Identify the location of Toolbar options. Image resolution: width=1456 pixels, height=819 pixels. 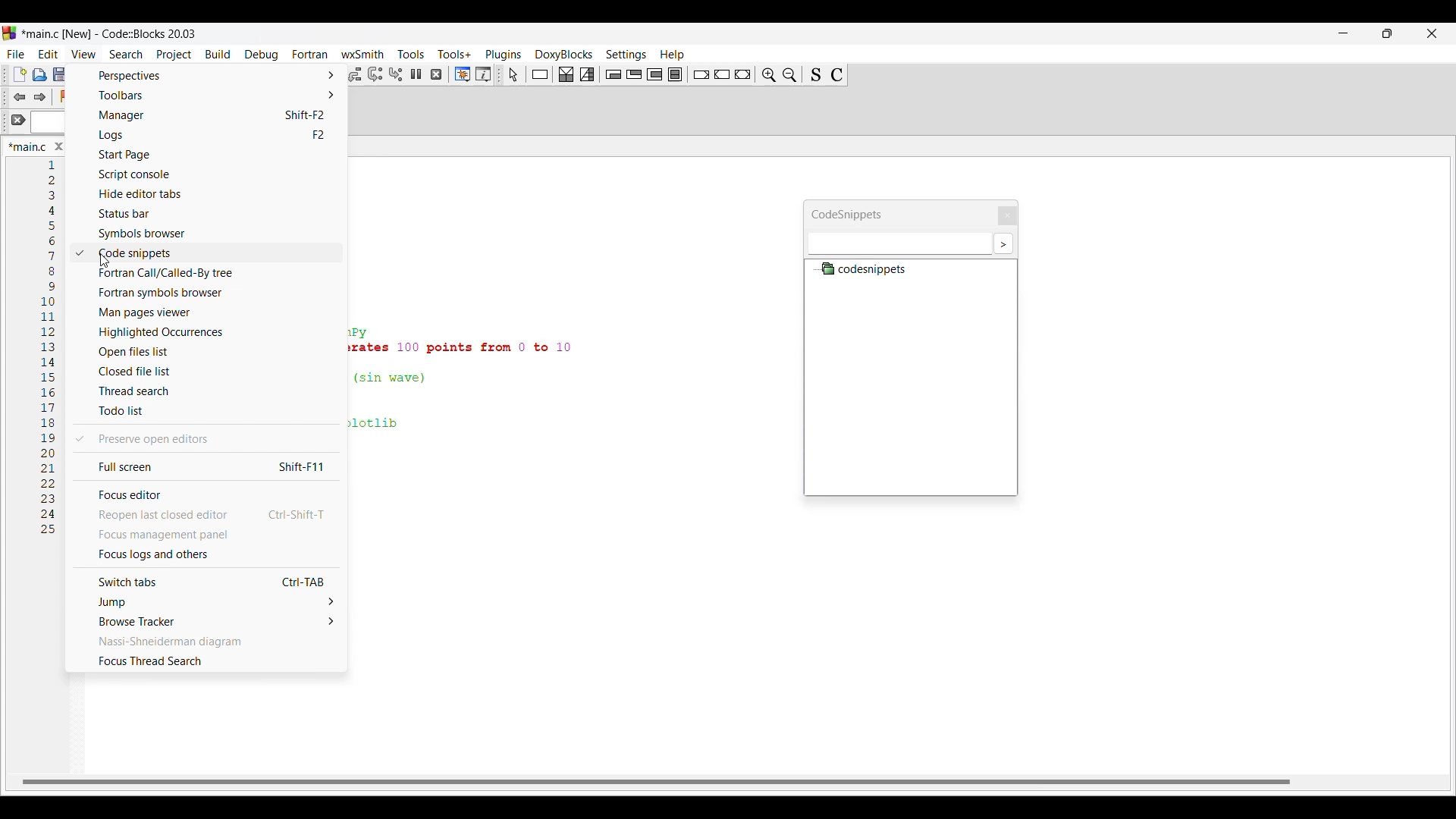
(206, 95).